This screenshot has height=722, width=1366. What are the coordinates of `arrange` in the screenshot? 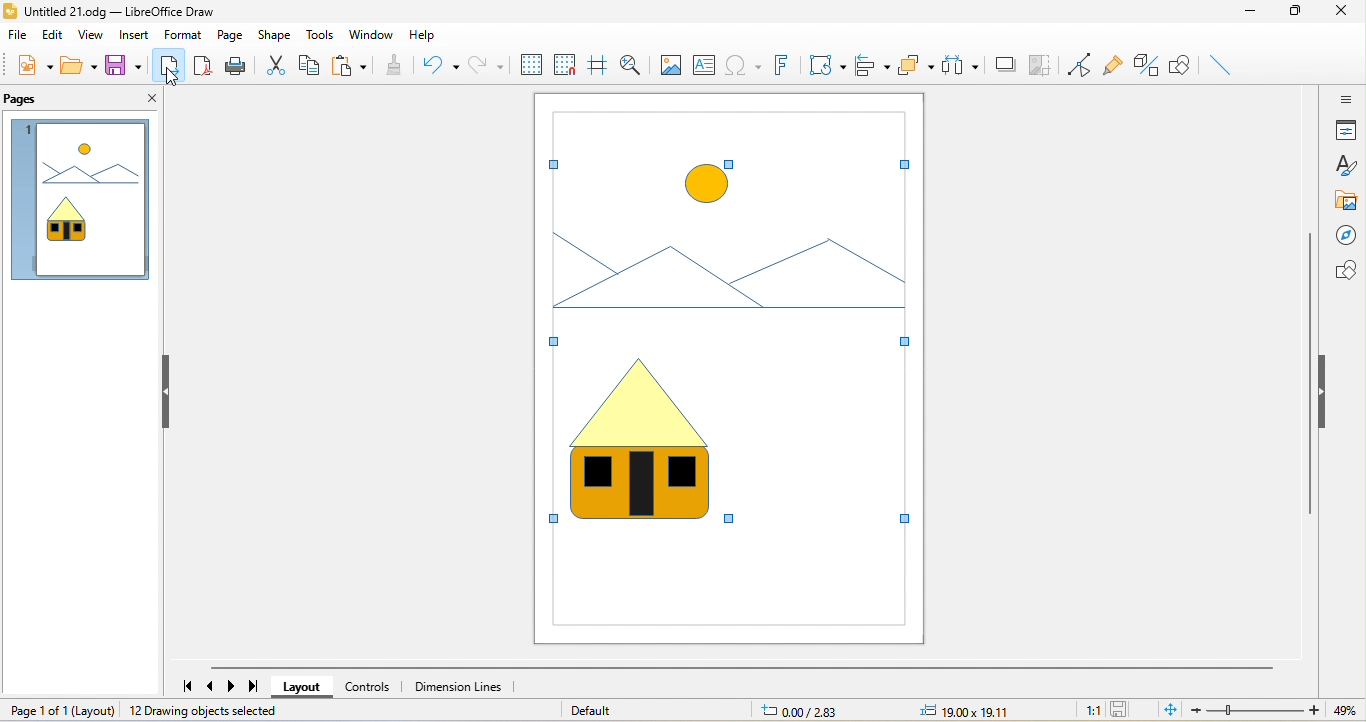 It's located at (918, 65).